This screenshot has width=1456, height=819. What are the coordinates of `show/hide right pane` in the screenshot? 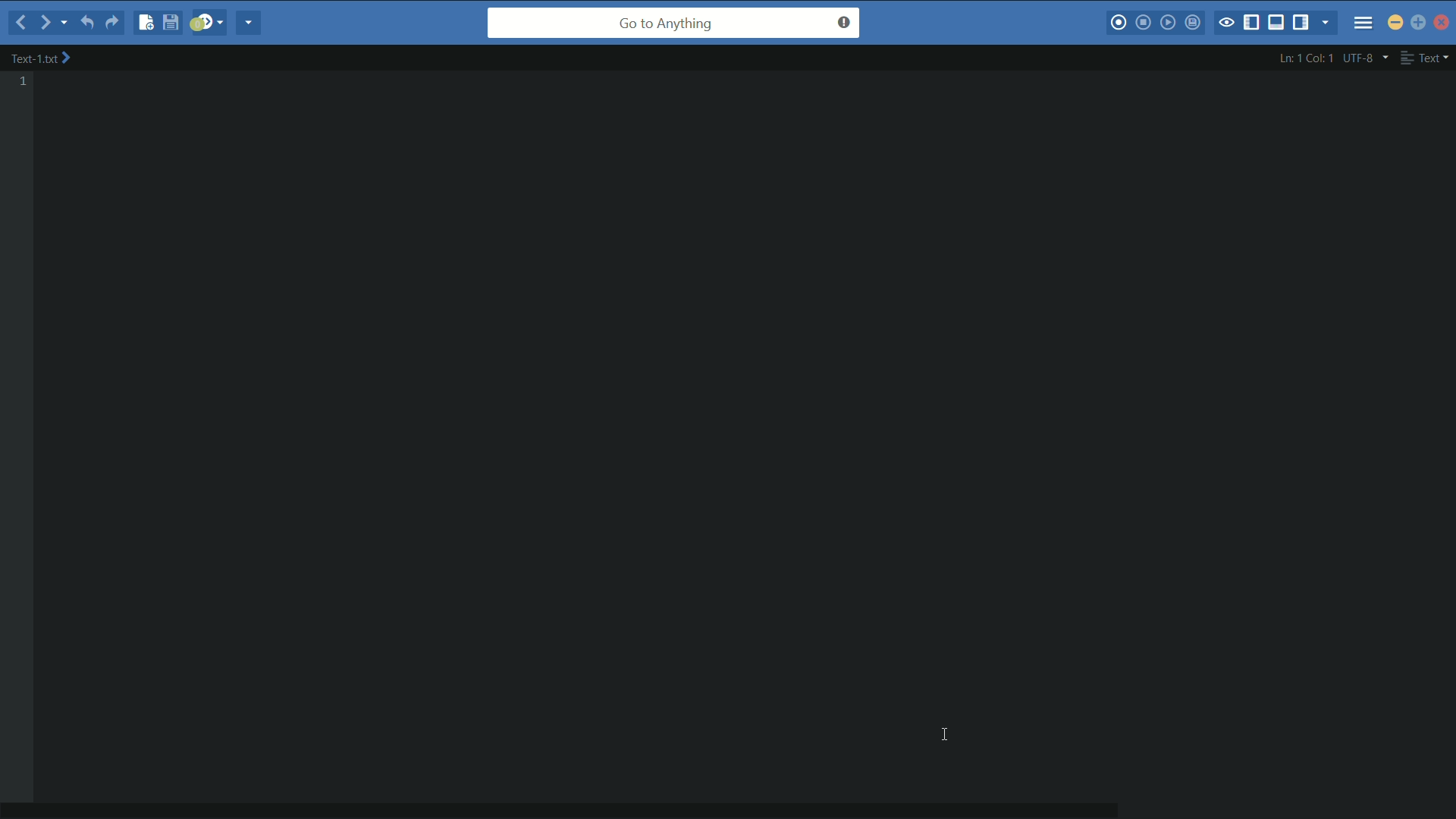 It's located at (1301, 23).